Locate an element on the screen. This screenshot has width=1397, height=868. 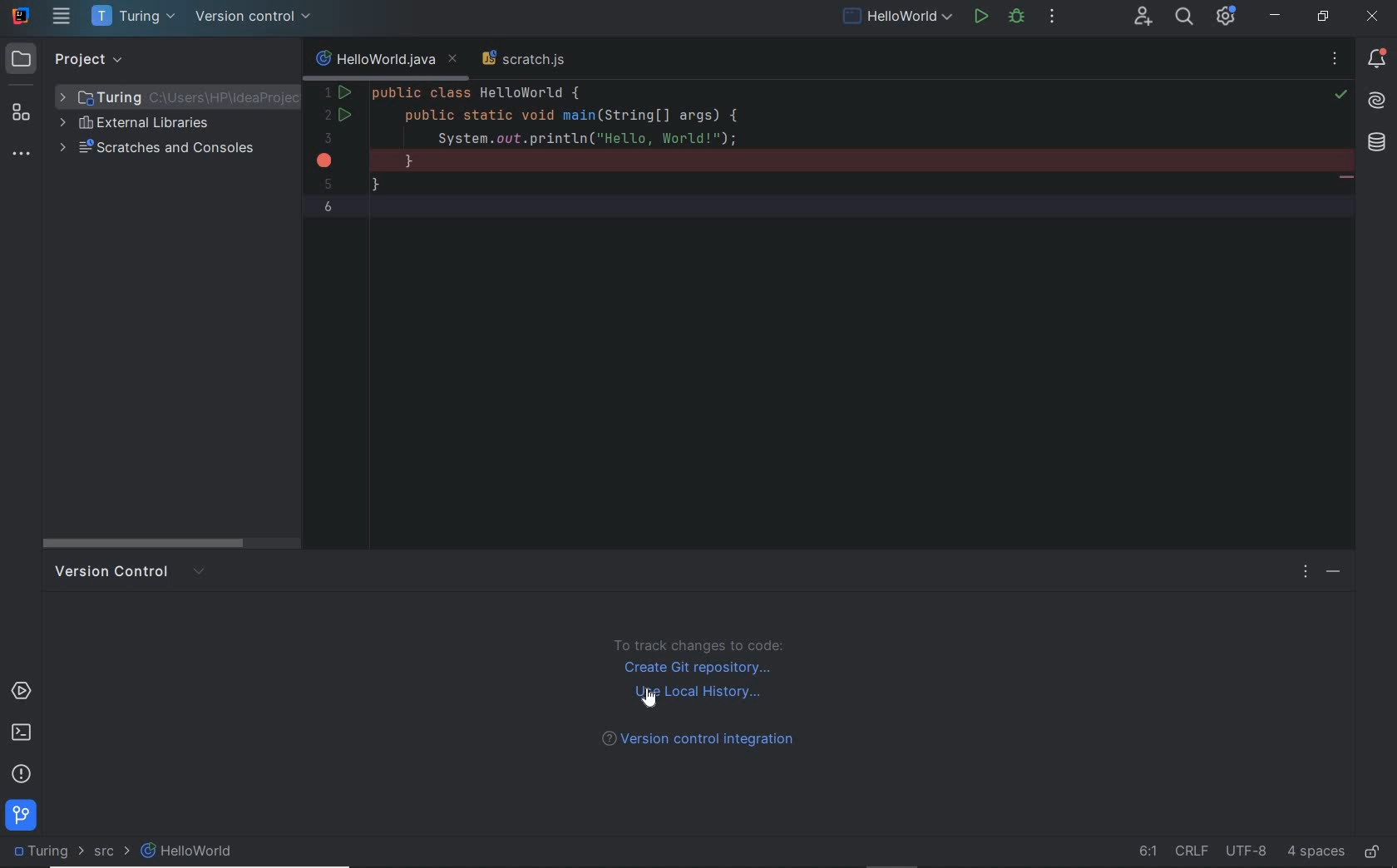
2 is located at coordinates (328, 115).